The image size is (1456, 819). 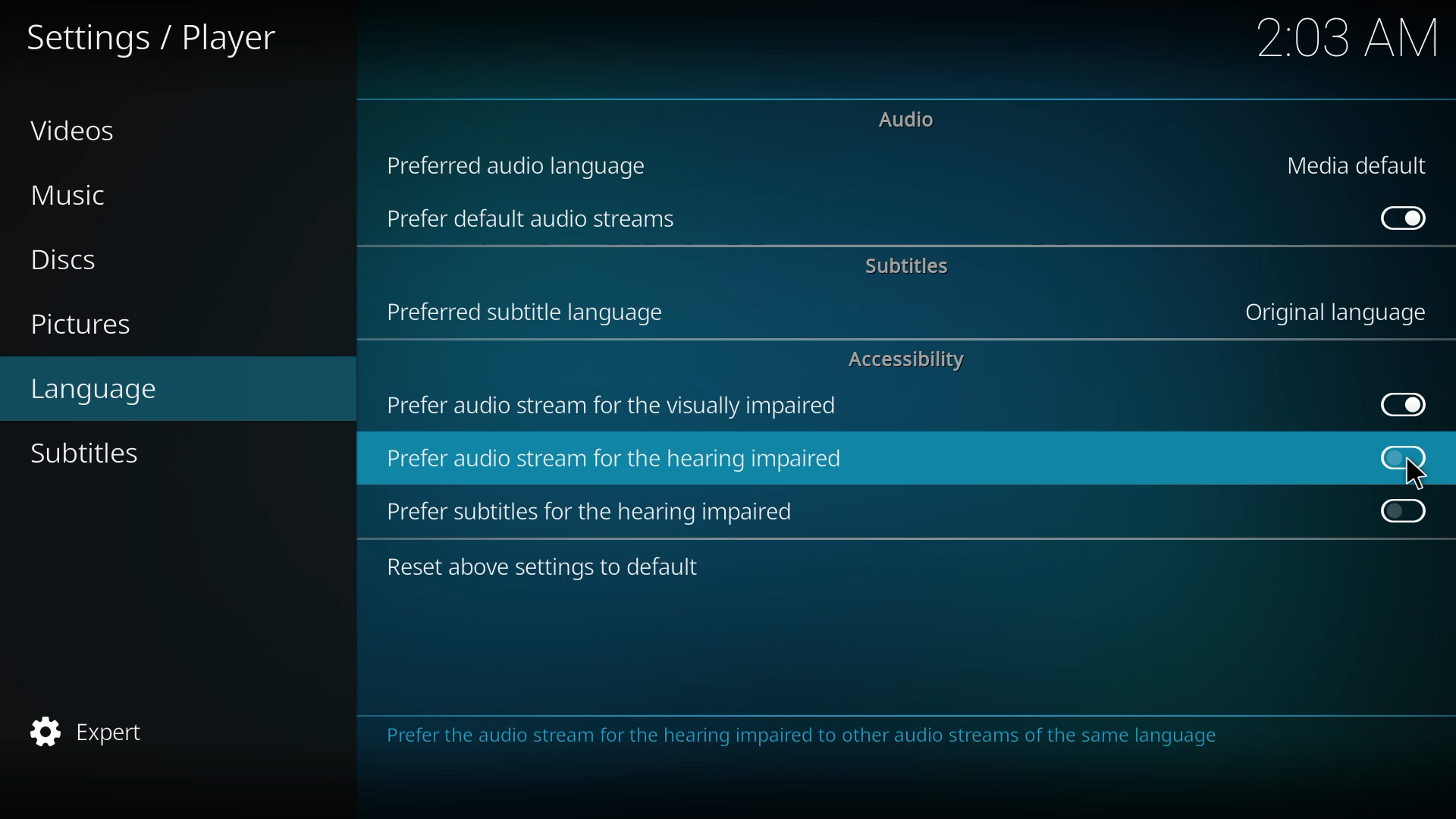 I want to click on expert, so click(x=96, y=729).